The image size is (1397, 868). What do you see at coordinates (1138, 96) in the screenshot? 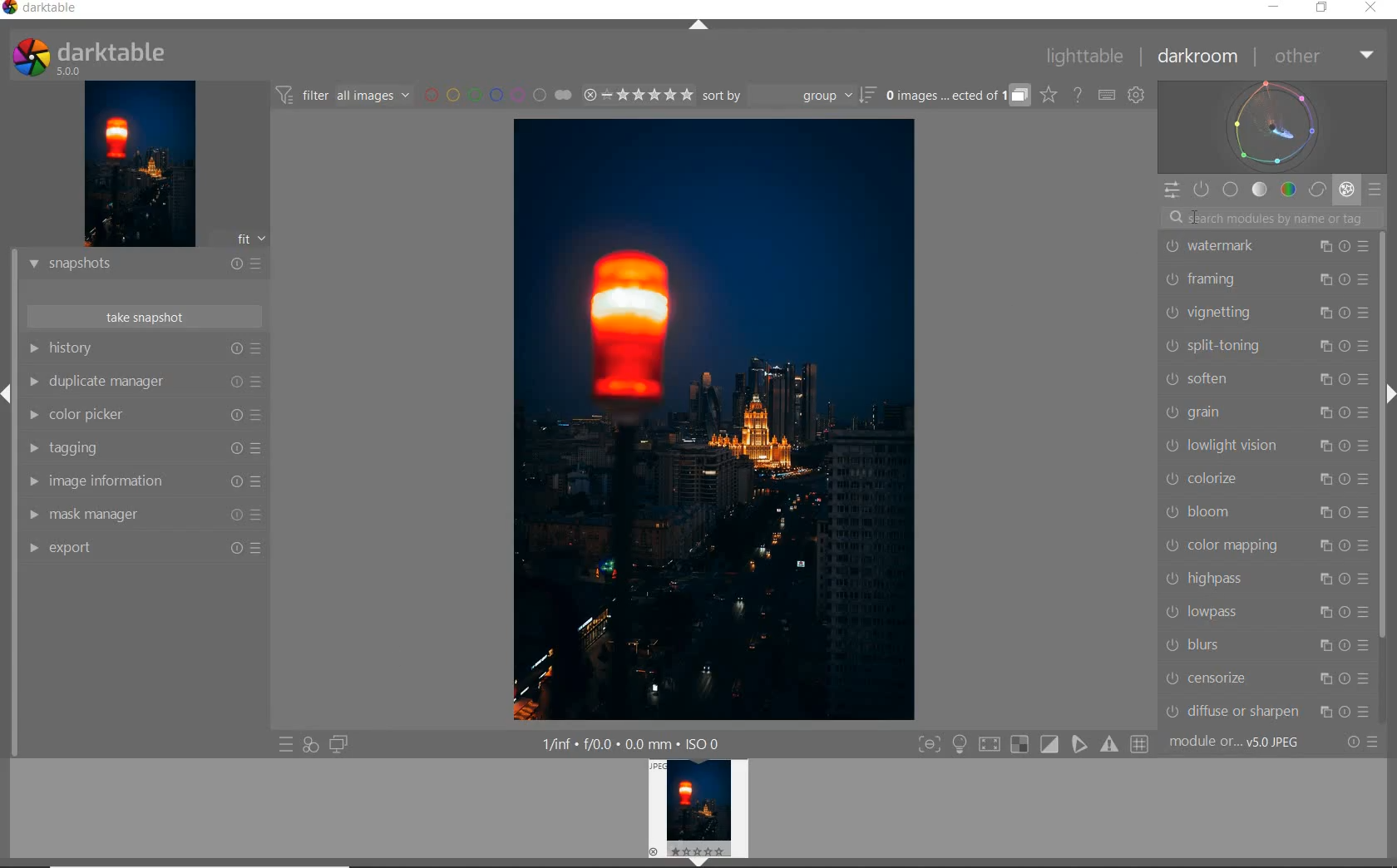
I see `SHOW GLOBAL PREFERENCES` at bounding box center [1138, 96].